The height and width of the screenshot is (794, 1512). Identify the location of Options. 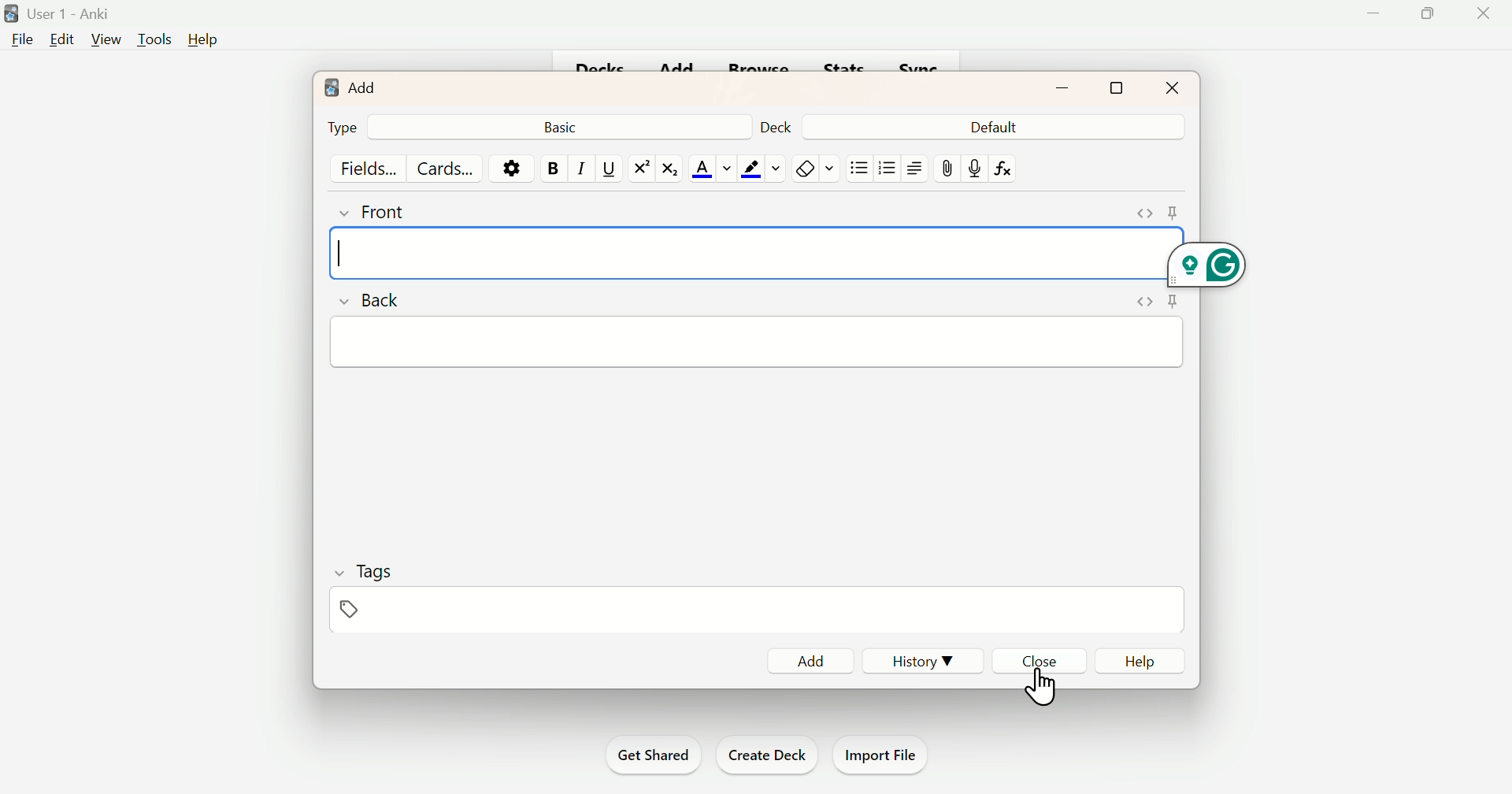
(508, 169).